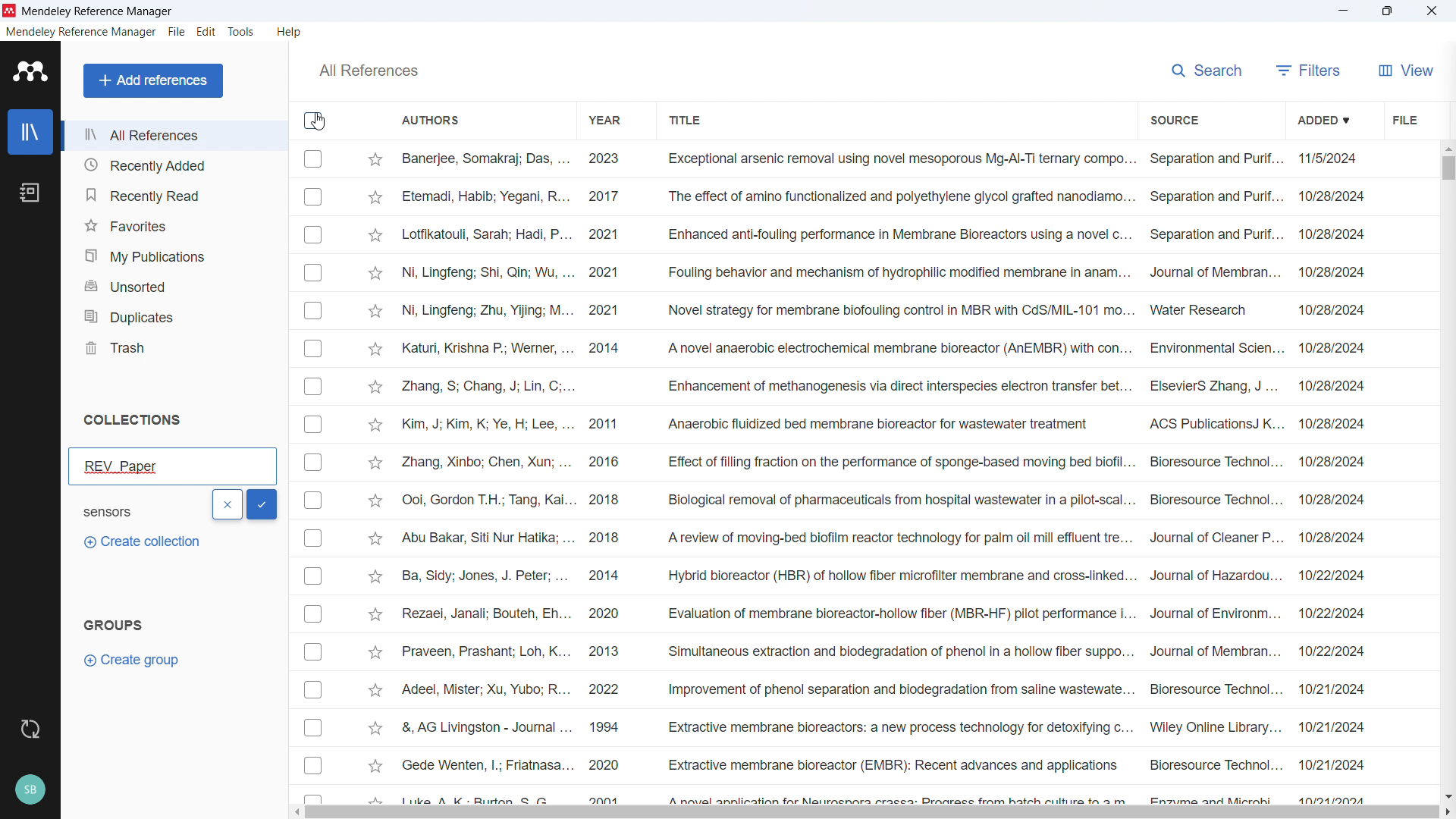 This screenshot has width=1456, height=819. What do you see at coordinates (173, 347) in the screenshot?
I see `Trash ` at bounding box center [173, 347].